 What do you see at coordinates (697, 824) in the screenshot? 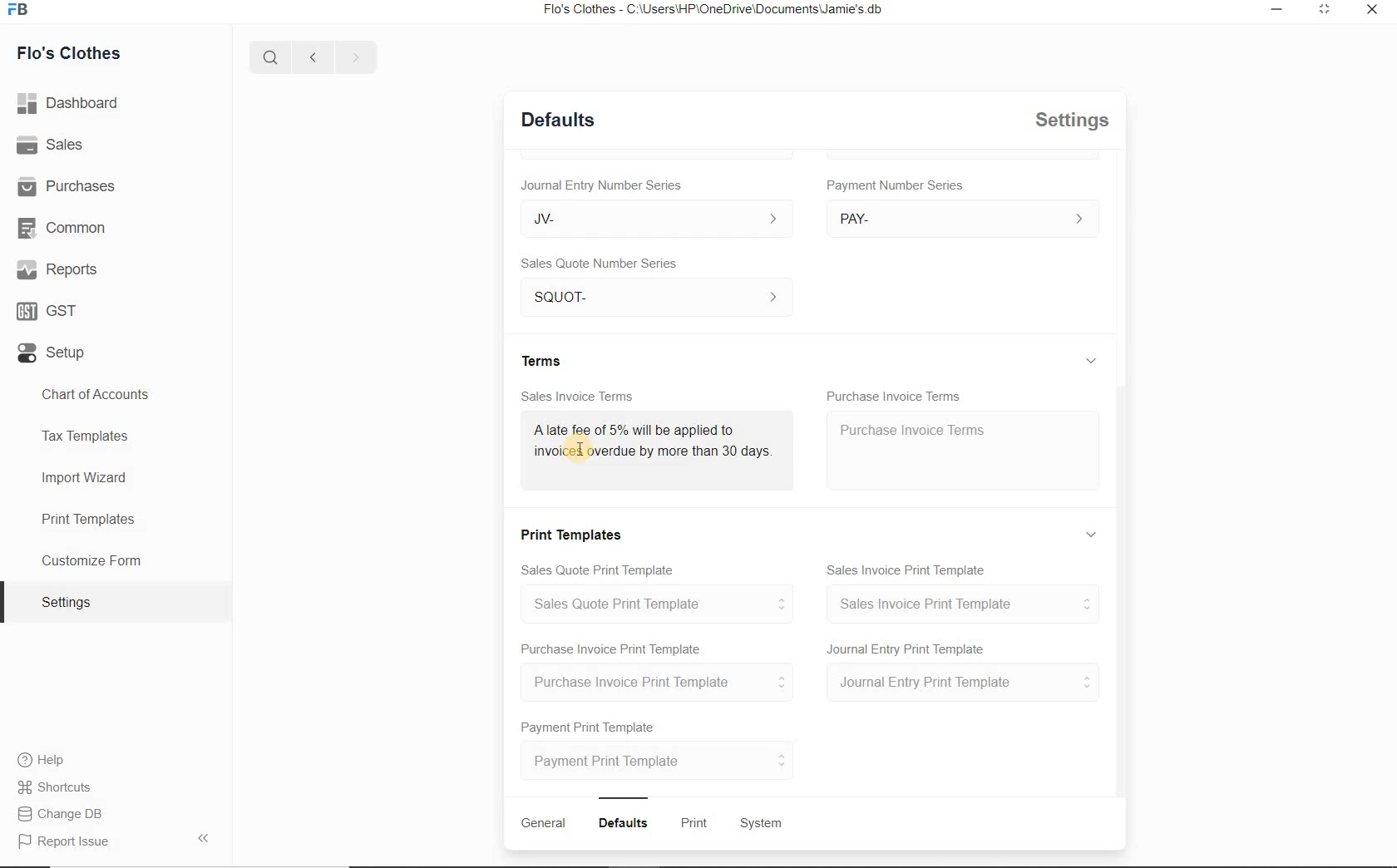
I see `Print` at bounding box center [697, 824].